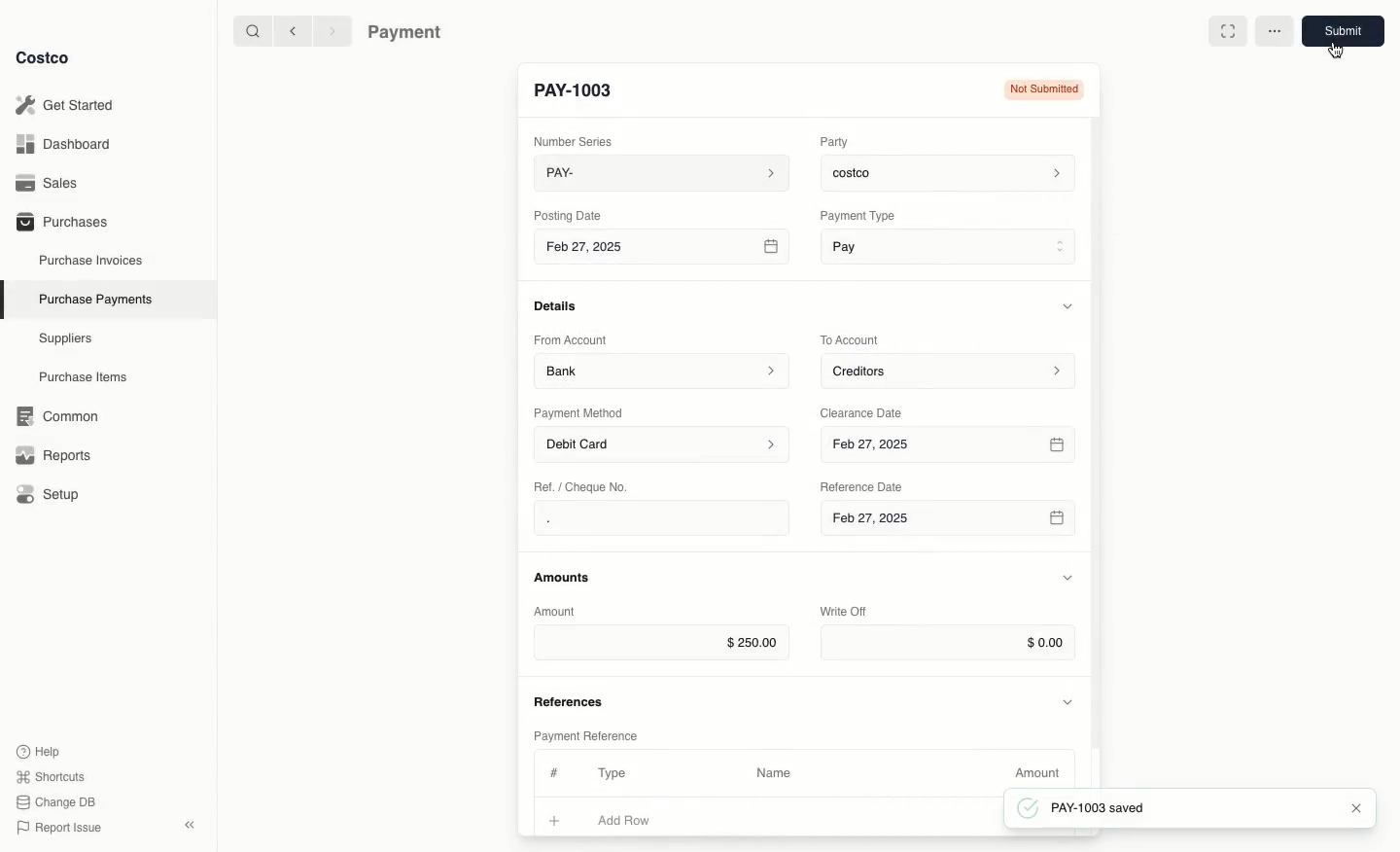 Image resolution: width=1400 pixels, height=852 pixels. What do you see at coordinates (1069, 700) in the screenshot?
I see `Hide` at bounding box center [1069, 700].